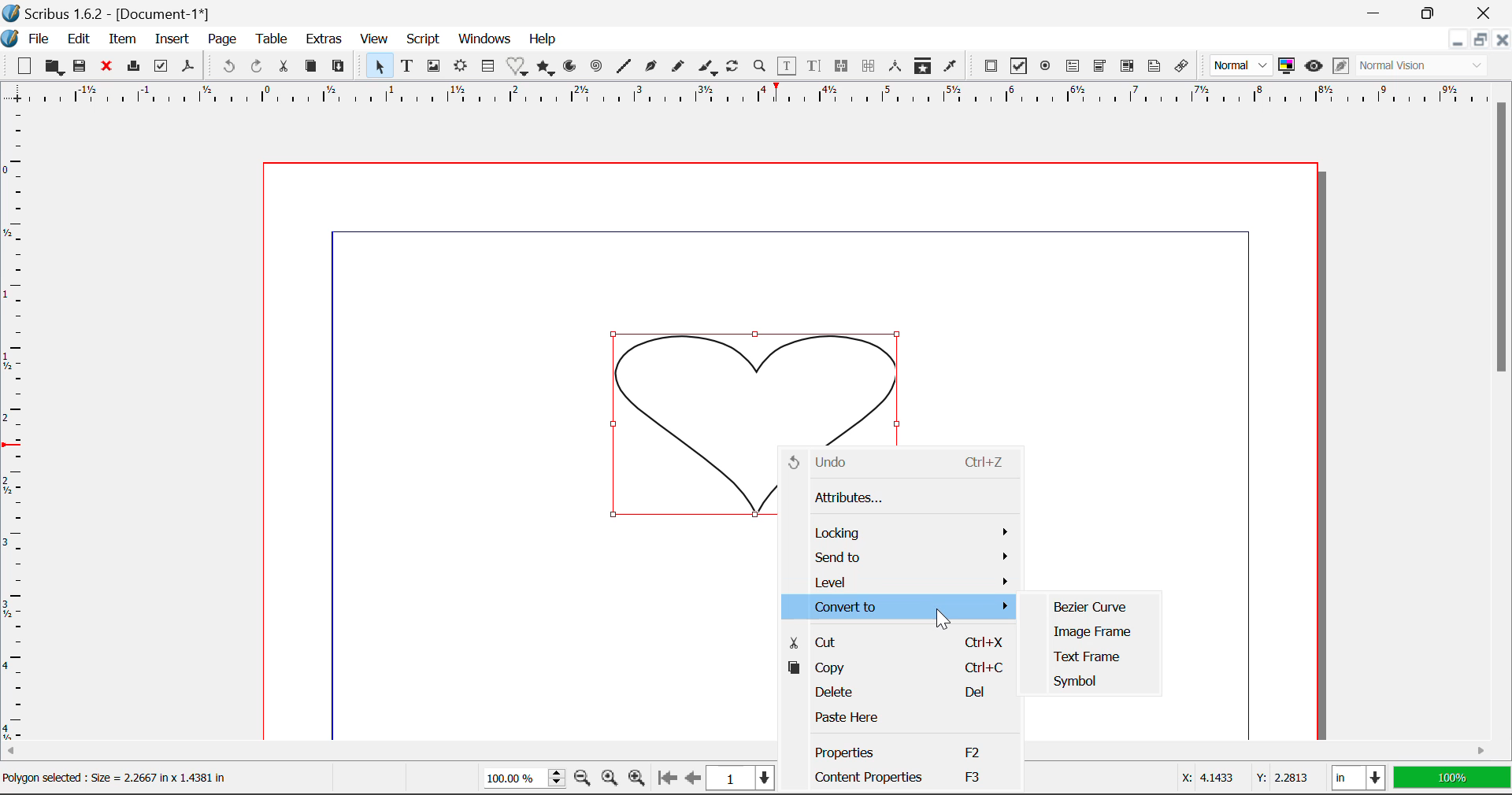 The width and height of the screenshot is (1512, 795). Describe the element at coordinates (9, 39) in the screenshot. I see `Scribus Logo` at that location.